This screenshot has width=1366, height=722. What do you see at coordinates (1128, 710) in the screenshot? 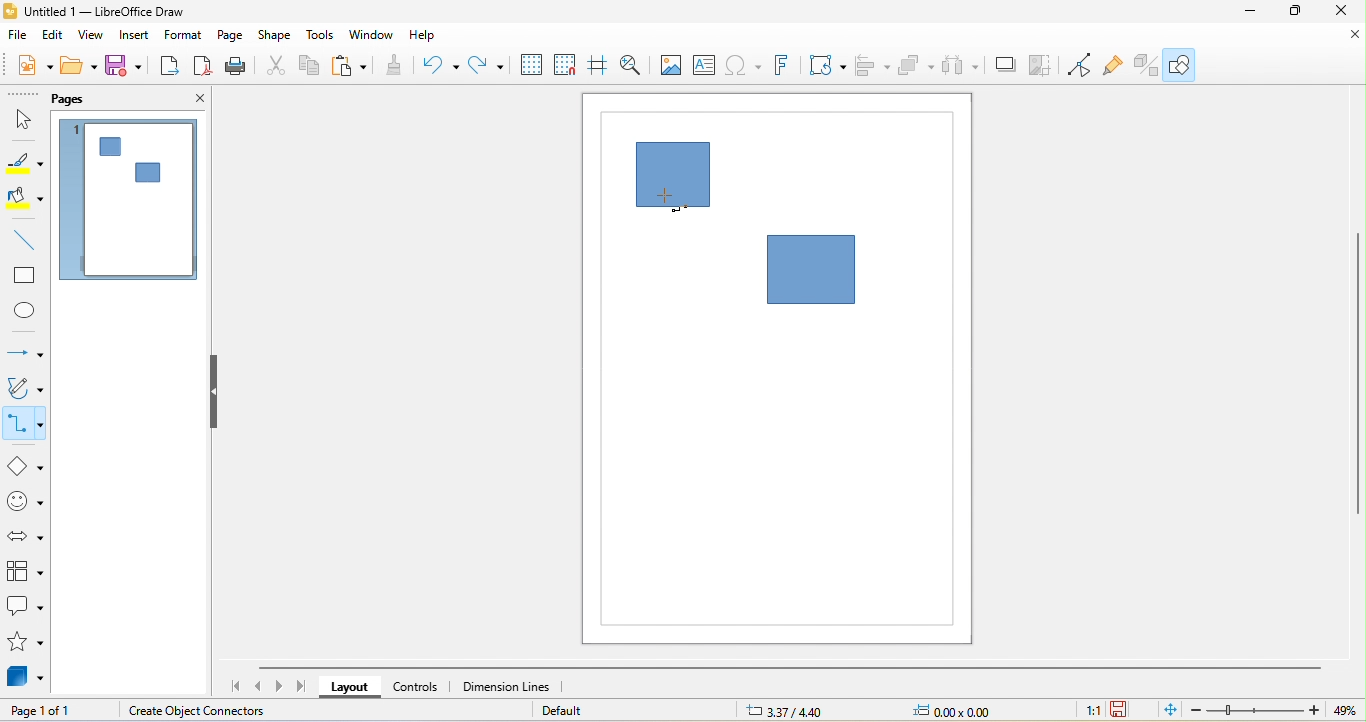
I see `the document has not been modified since the last save` at bounding box center [1128, 710].